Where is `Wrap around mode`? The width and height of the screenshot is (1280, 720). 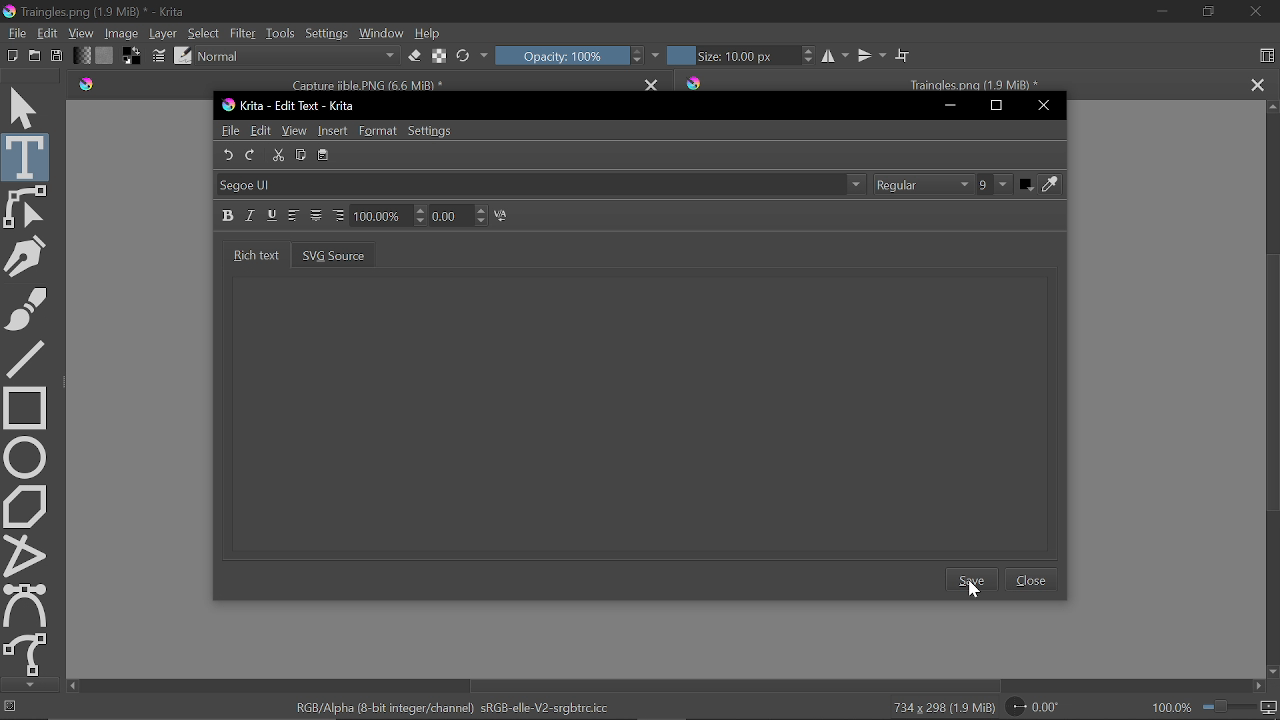
Wrap around mode is located at coordinates (902, 55).